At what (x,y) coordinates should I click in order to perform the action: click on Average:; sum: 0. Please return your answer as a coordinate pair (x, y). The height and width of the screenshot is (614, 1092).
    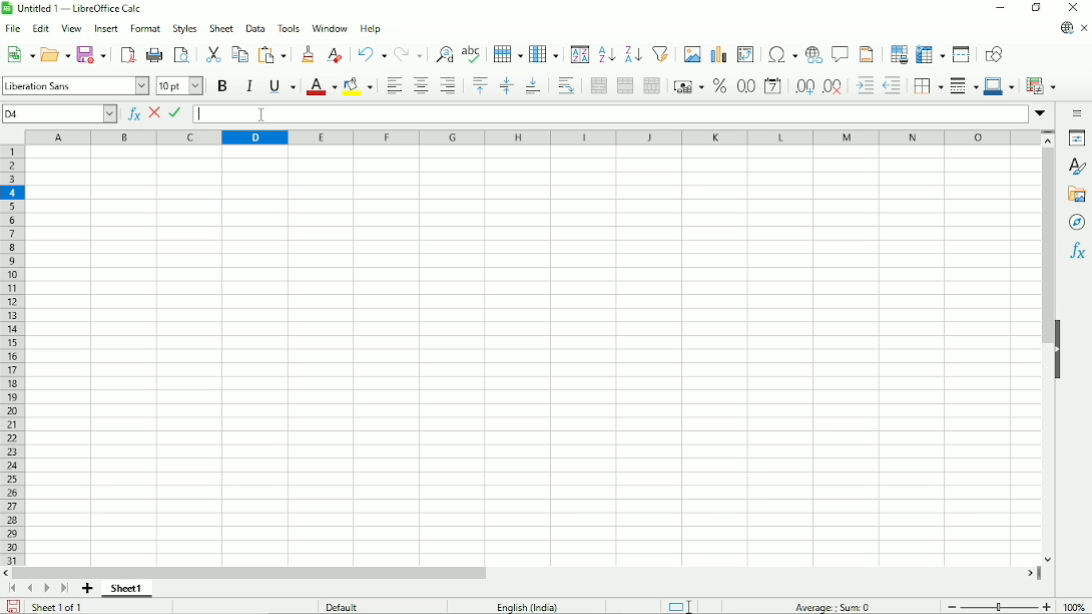
    Looking at the image, I should click on (832, 606).